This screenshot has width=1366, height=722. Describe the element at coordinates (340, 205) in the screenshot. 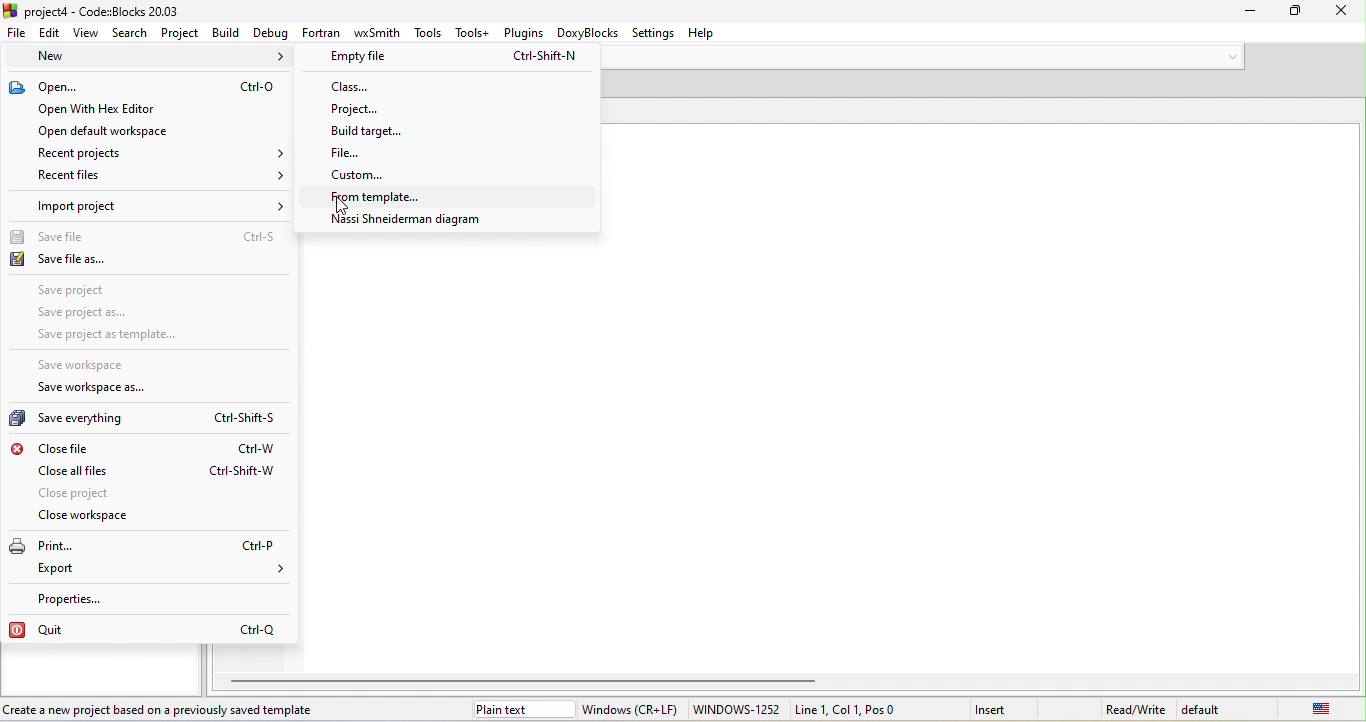

I see `cursor movement` at that location.